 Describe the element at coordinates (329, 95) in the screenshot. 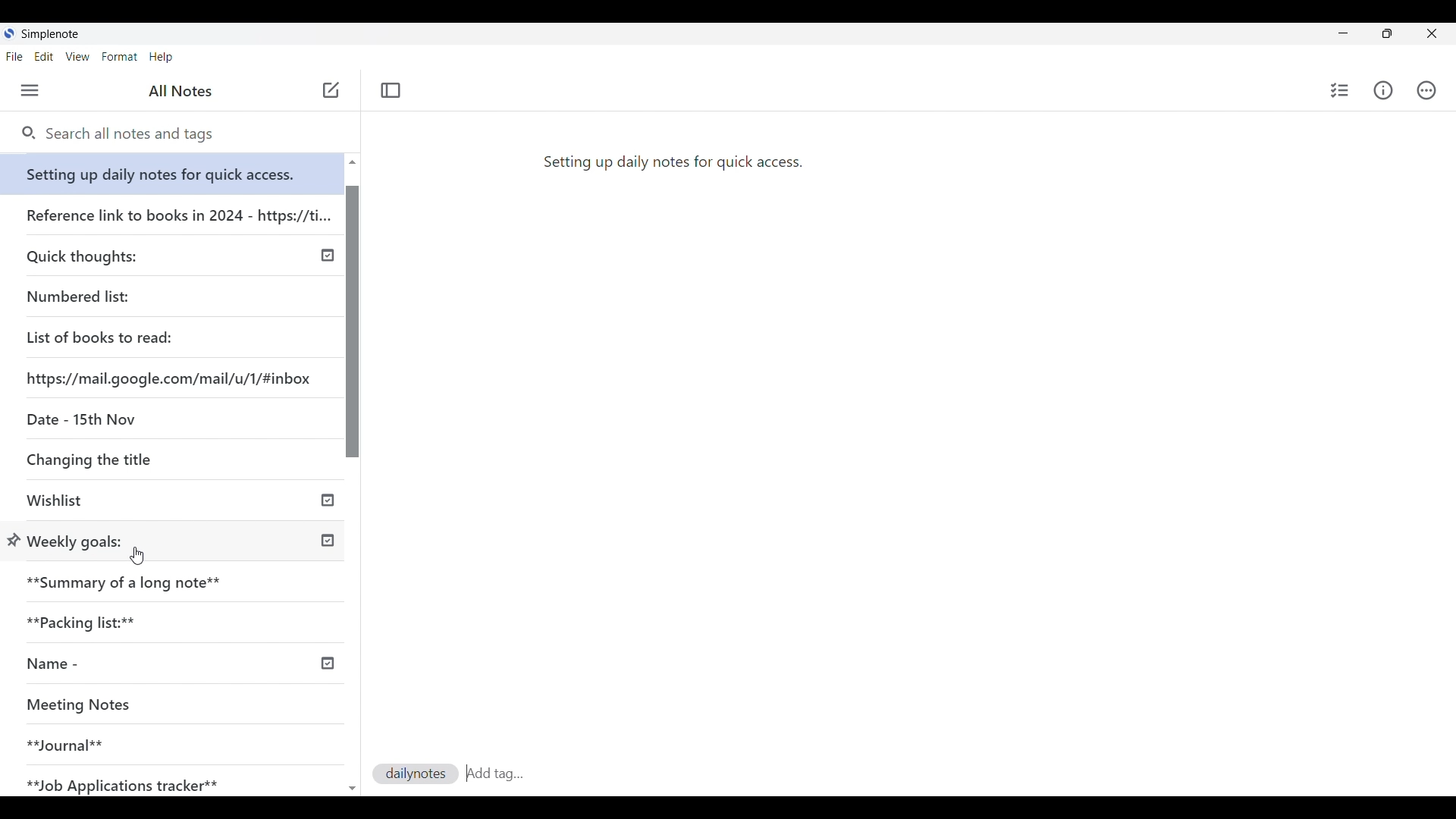

I see `Cursor position unchanged` at that location.